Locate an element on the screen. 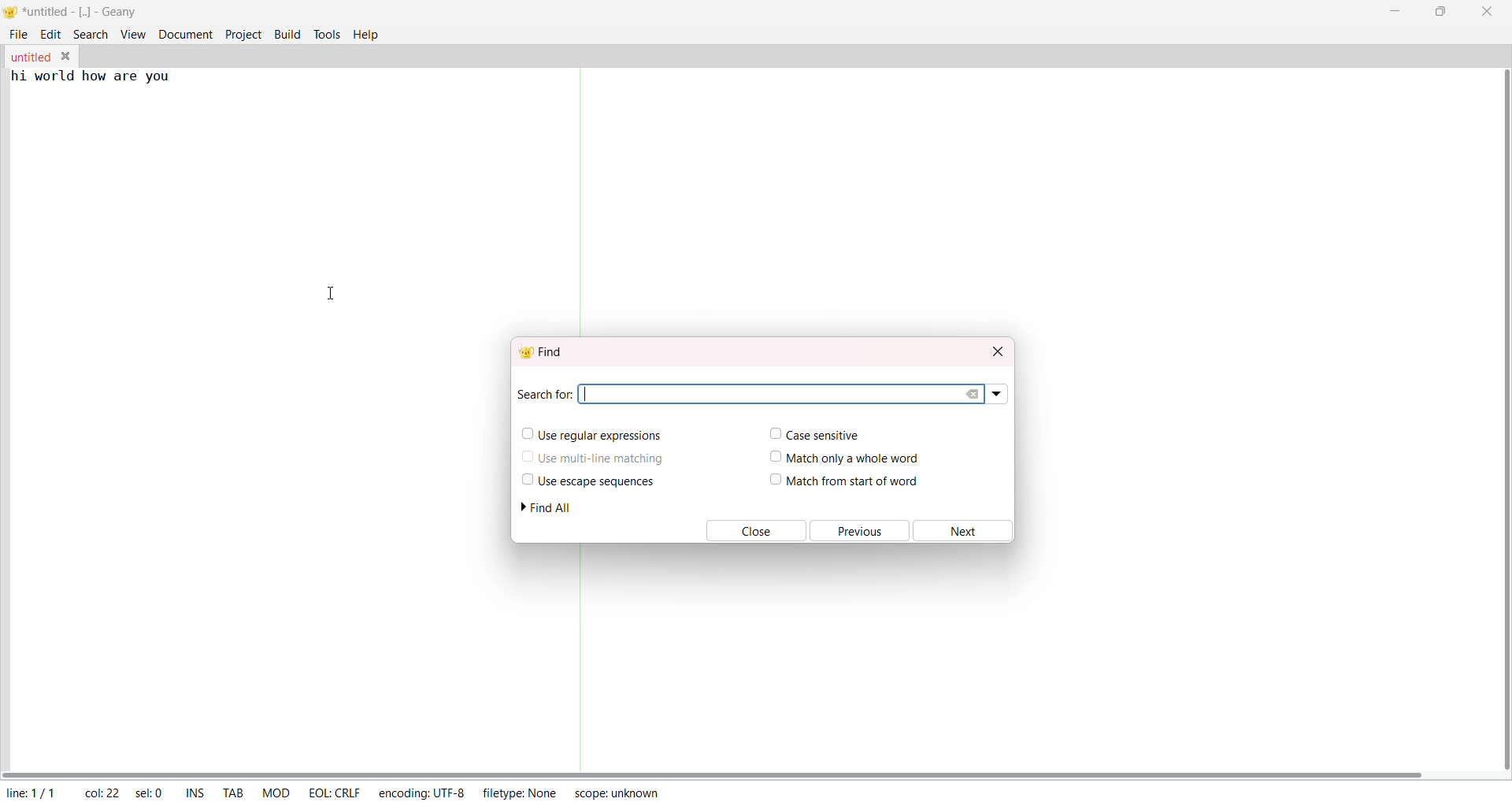 The height and width of the screenshot is (802, 1512). project is located at coordinates (243, 34).